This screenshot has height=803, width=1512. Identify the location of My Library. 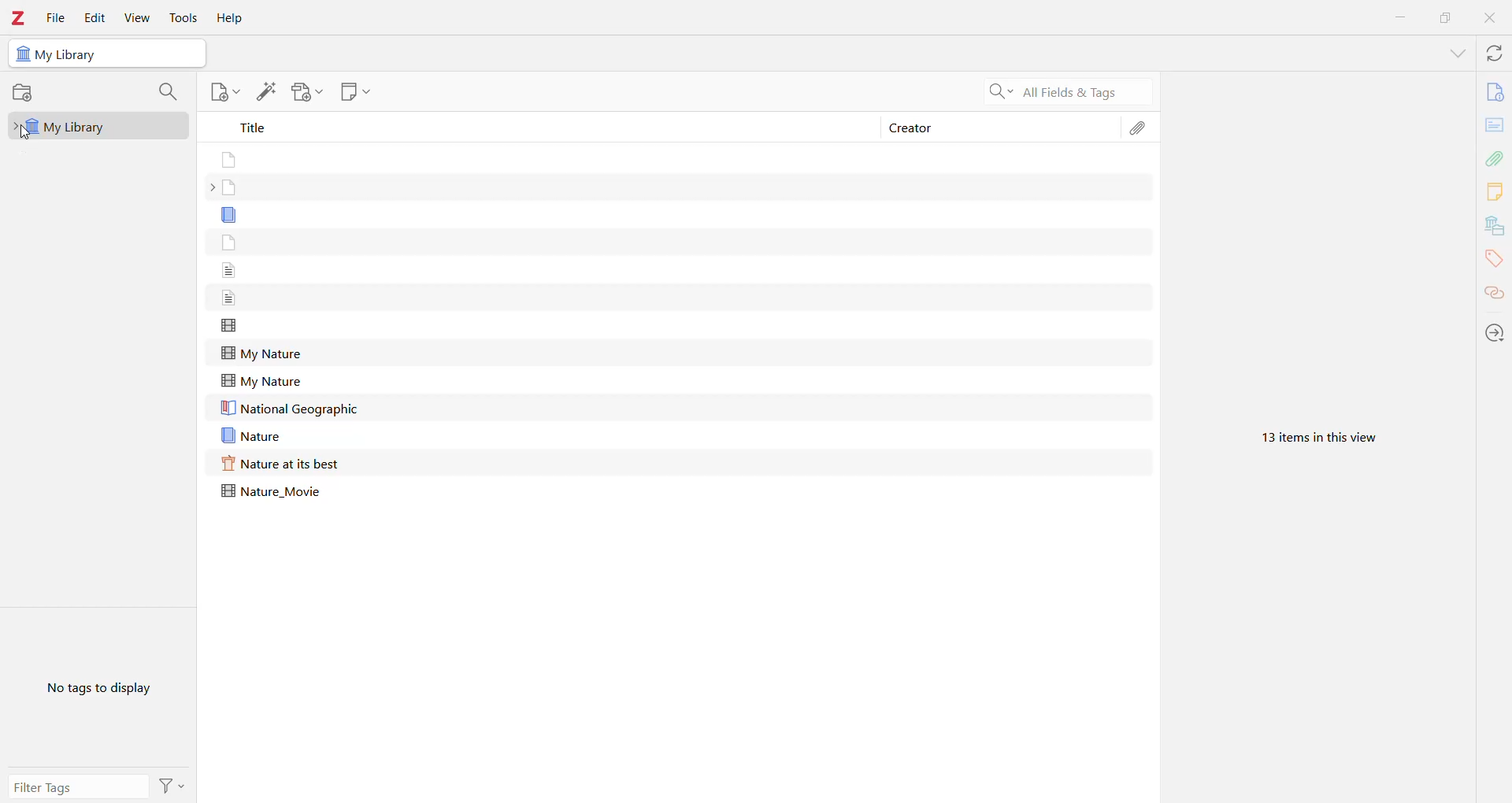
(98, 126).